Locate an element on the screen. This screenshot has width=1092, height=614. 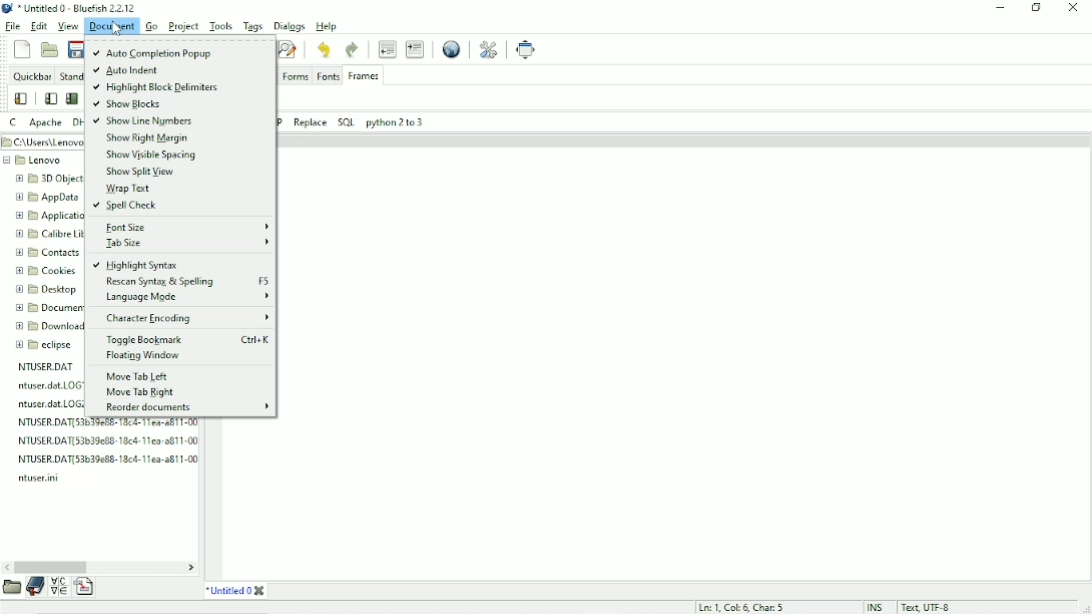
Edit preferences is located at coordinates (489, 47).